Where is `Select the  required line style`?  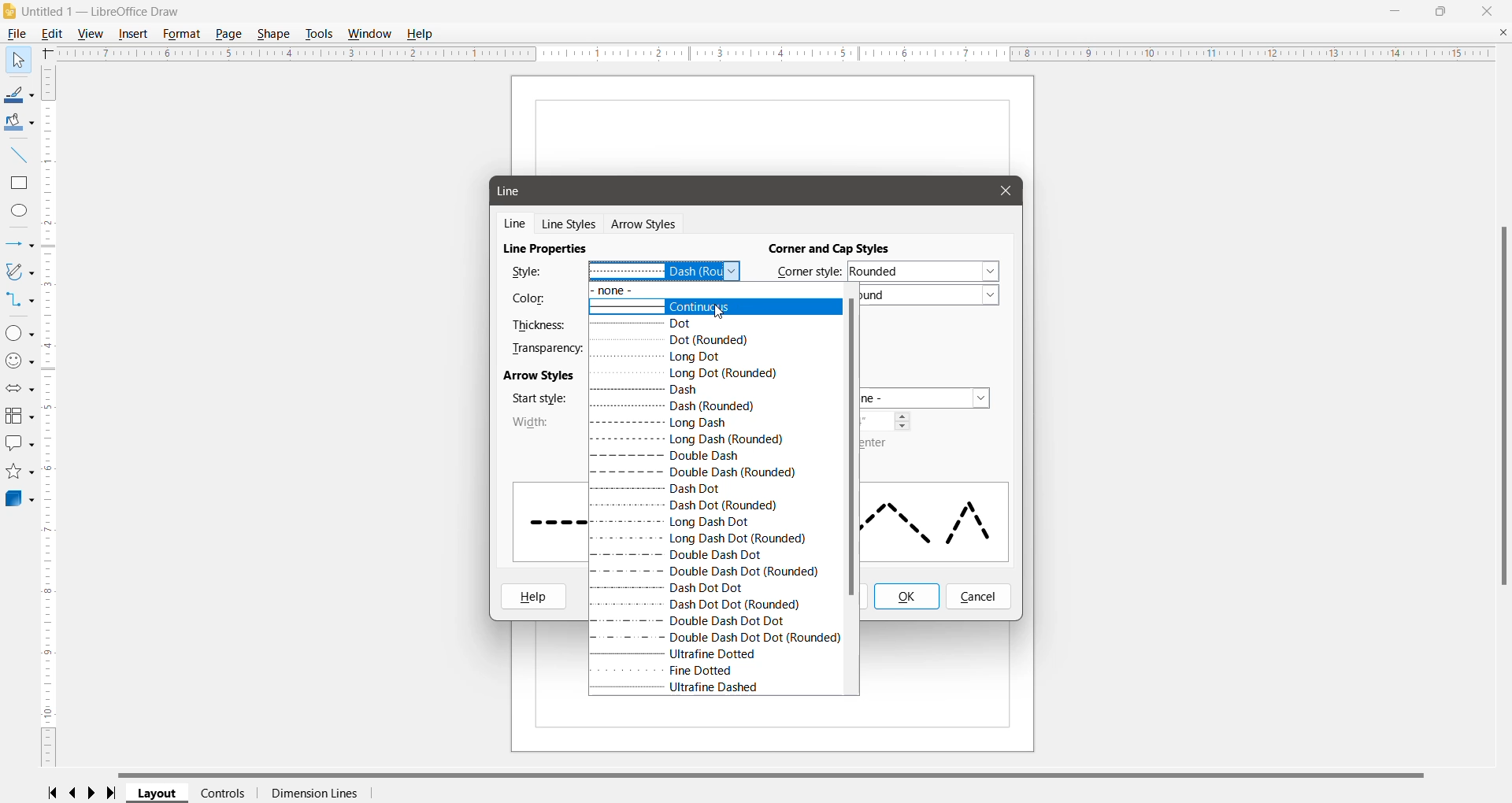 Select the  required line style is located at coordinates (663, 271).